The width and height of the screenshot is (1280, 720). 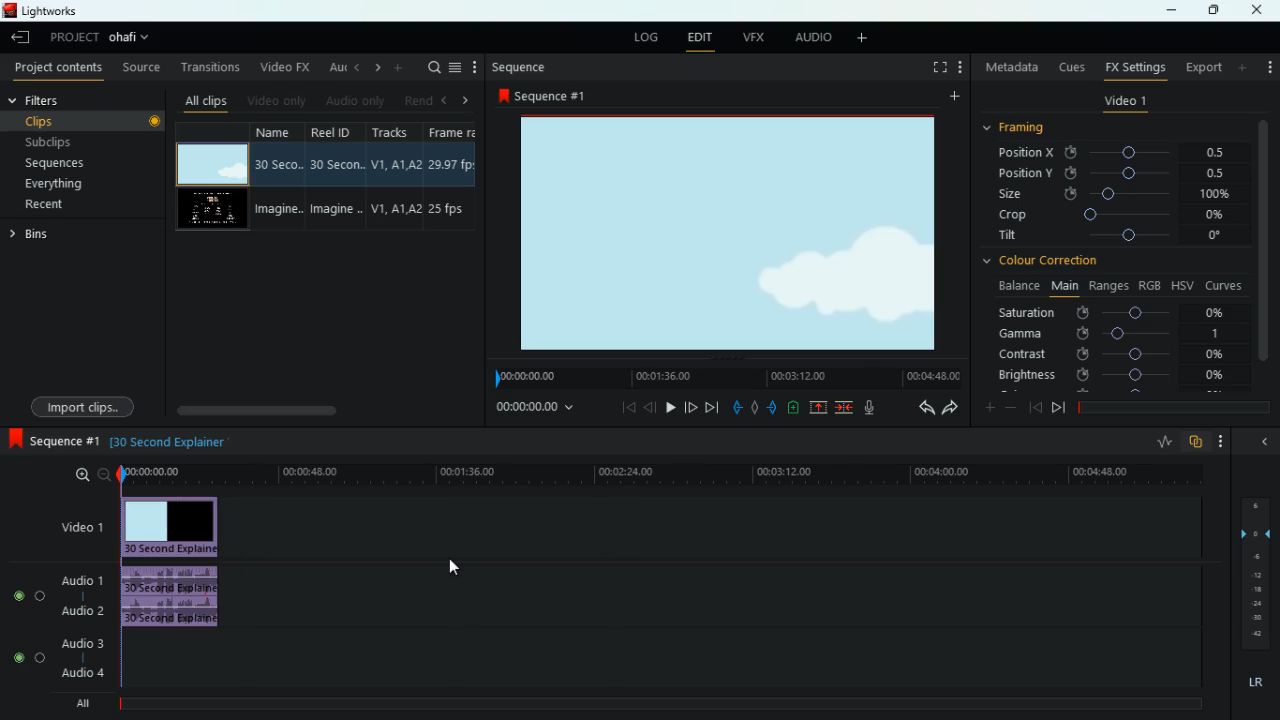 I want to click on sequences, so click(x=58, y=165).